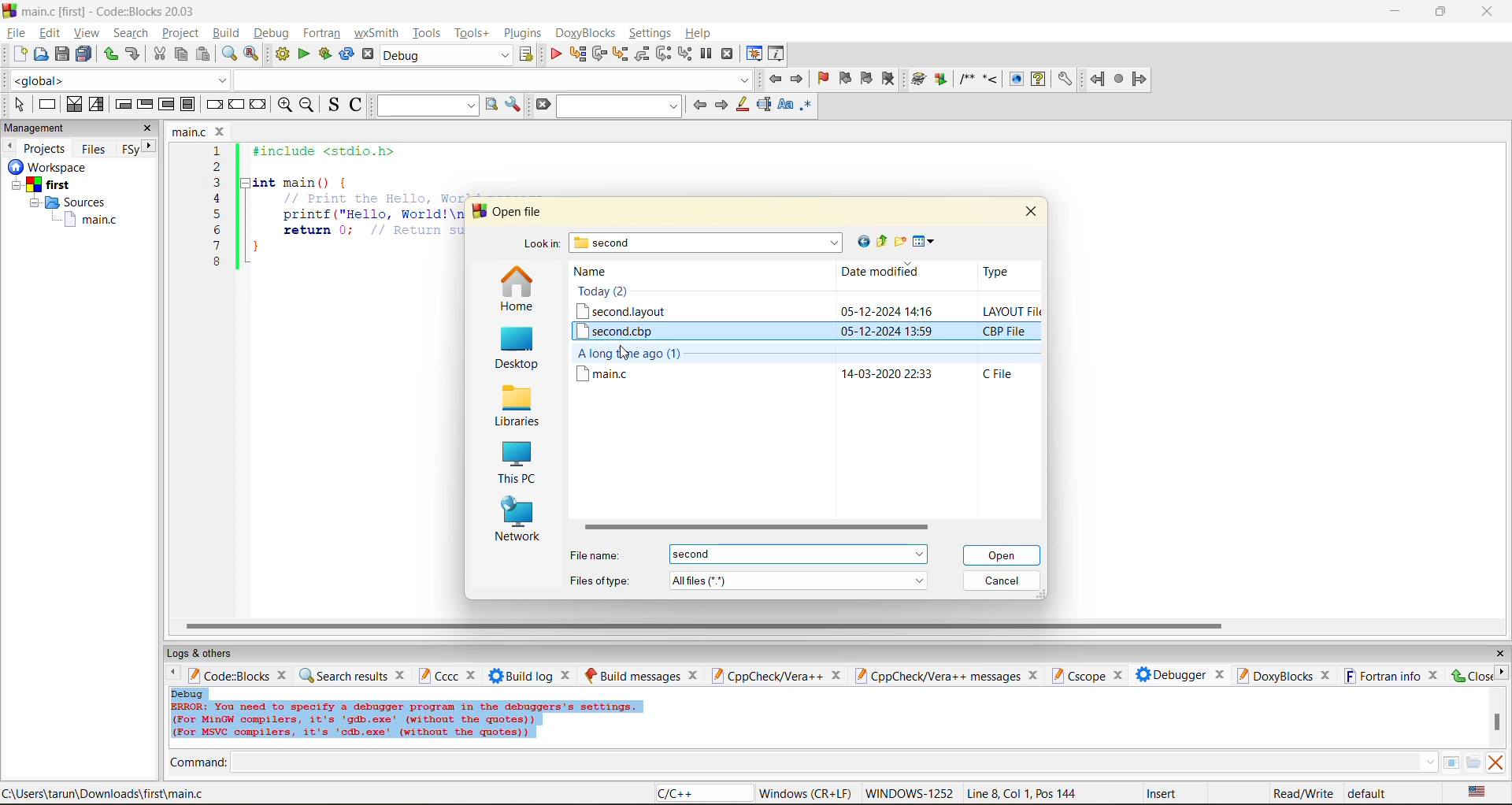  What do you see at coordinates (334, 151) in the screenshot?
I see `#include <stdio.h>` at bounding box center [334, 151].